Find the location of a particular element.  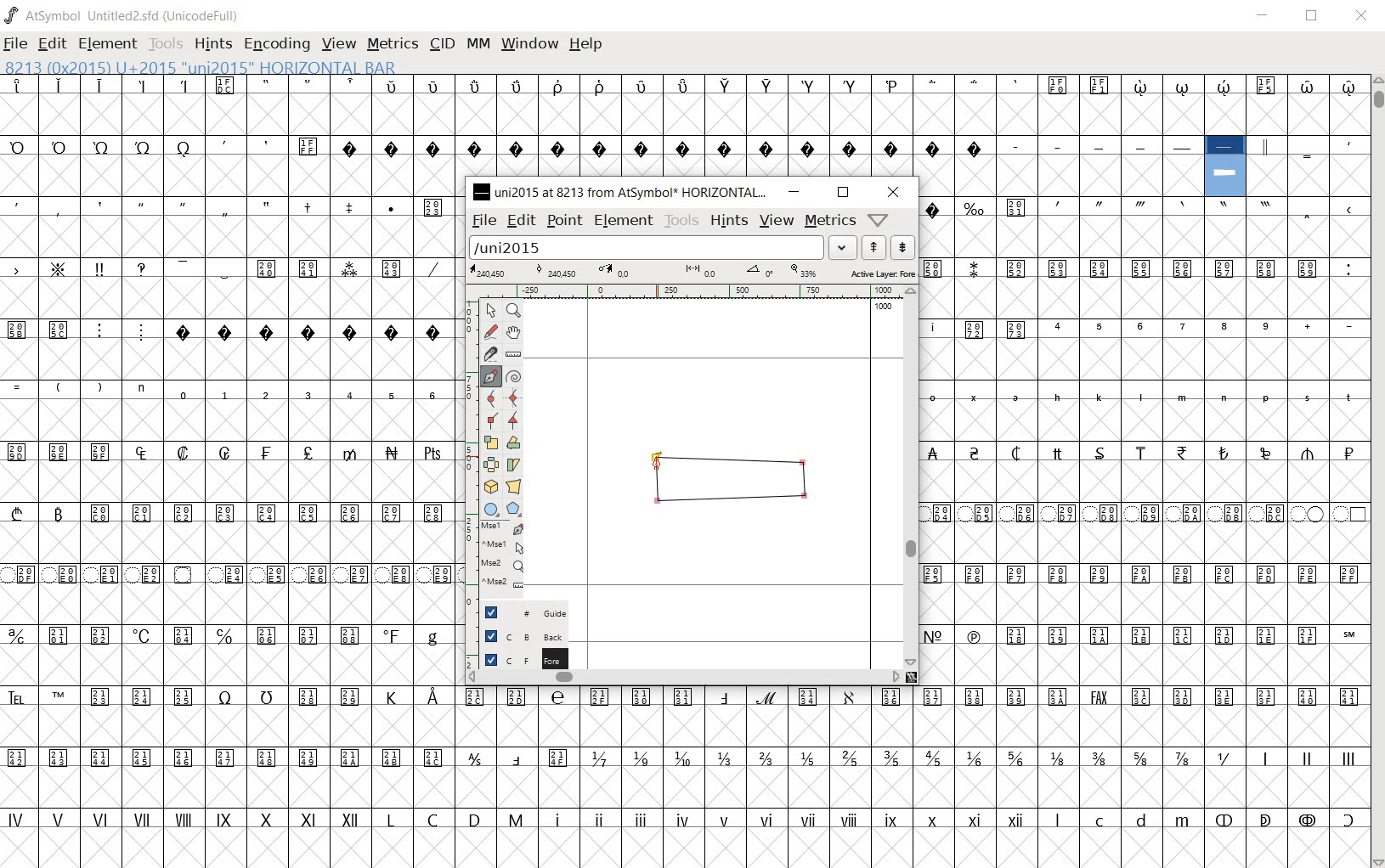

scale the selection is located at coordinates (490, 442).